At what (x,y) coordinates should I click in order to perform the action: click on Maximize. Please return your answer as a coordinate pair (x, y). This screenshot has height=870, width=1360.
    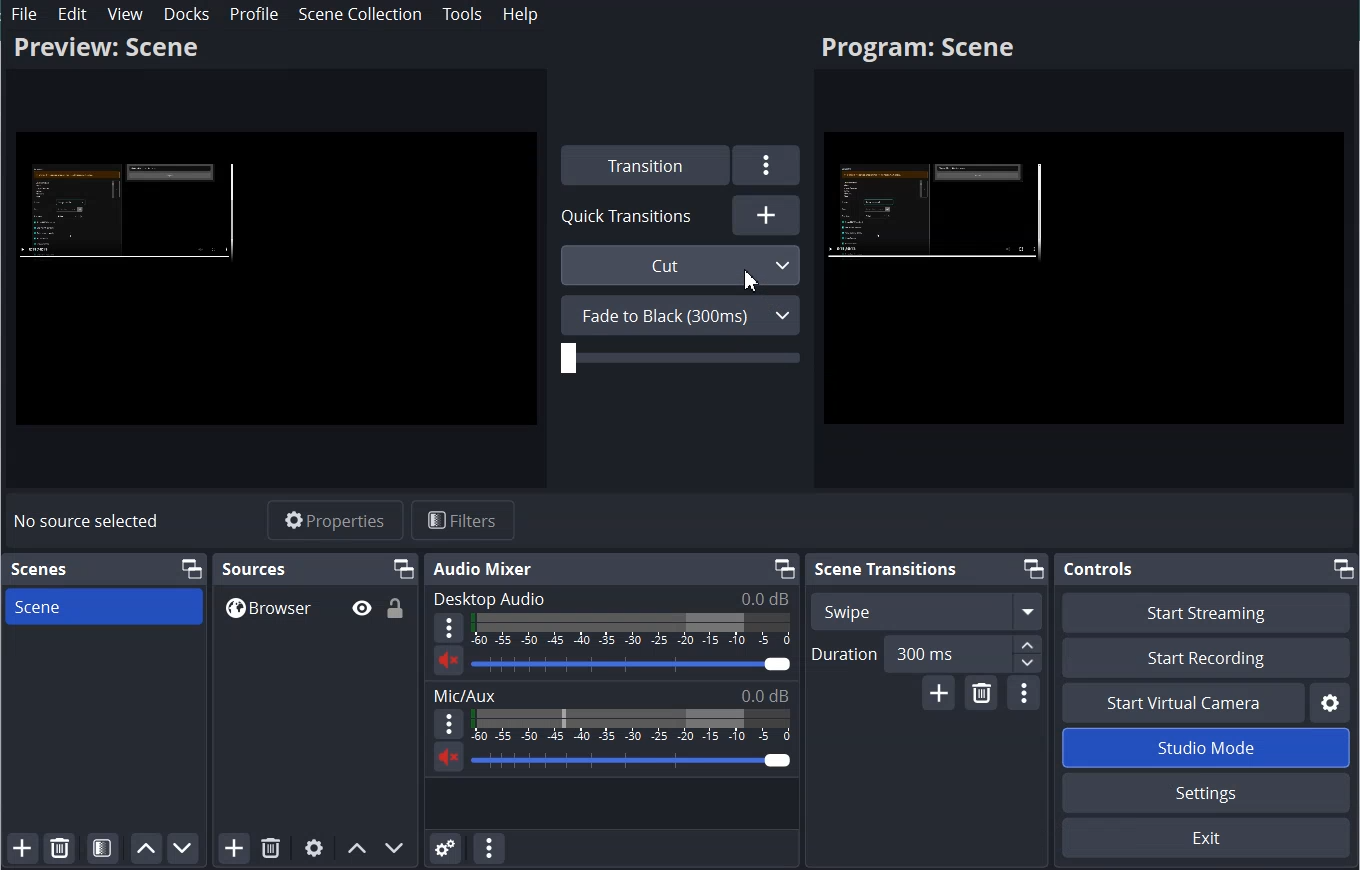
    Looking at the image, I should click on (1344, 568).